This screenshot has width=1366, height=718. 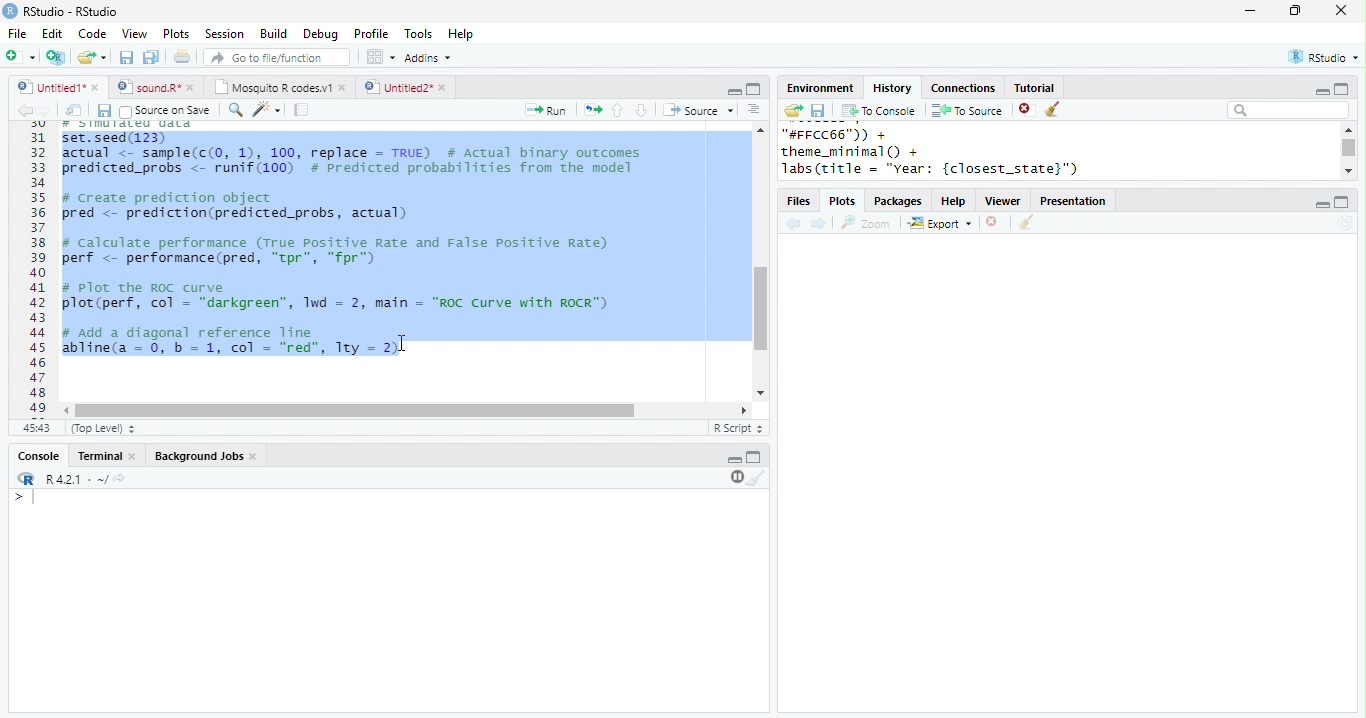 What do you see at coordinates (461, 35) in the screenshot?
I see `Help` at bounding box center [461, 35].